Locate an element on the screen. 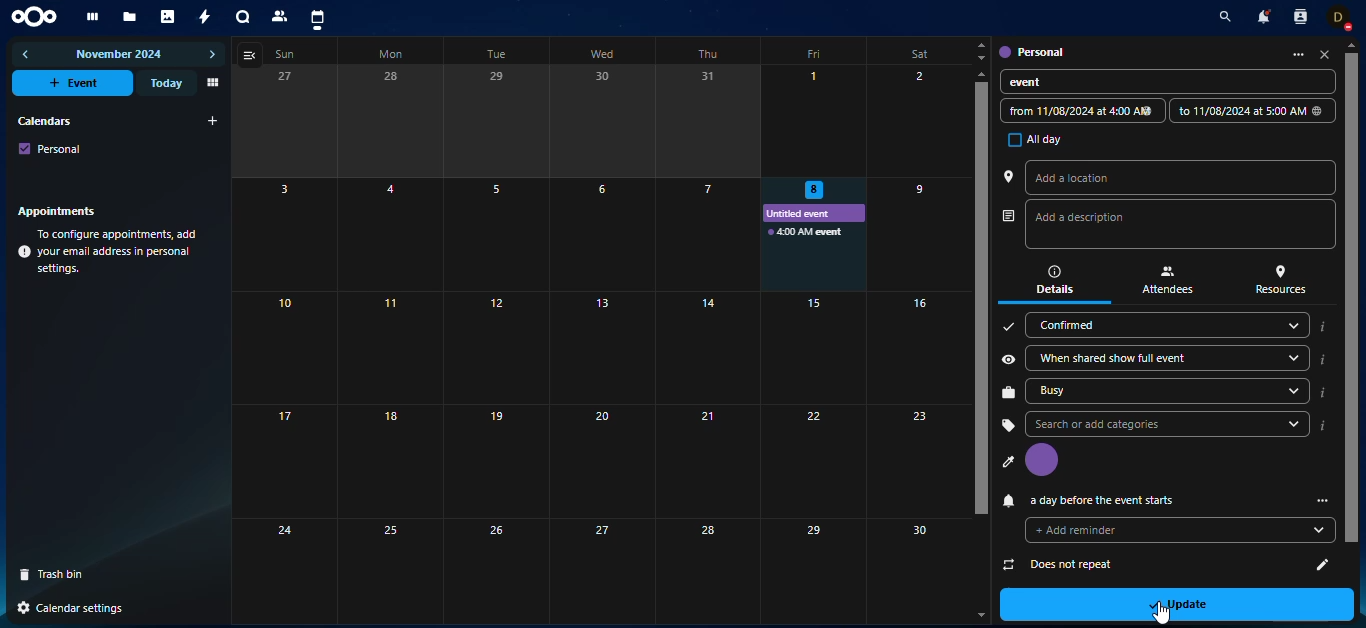 The image size is (1366, 628). share is located at coordinates (1009, 358).